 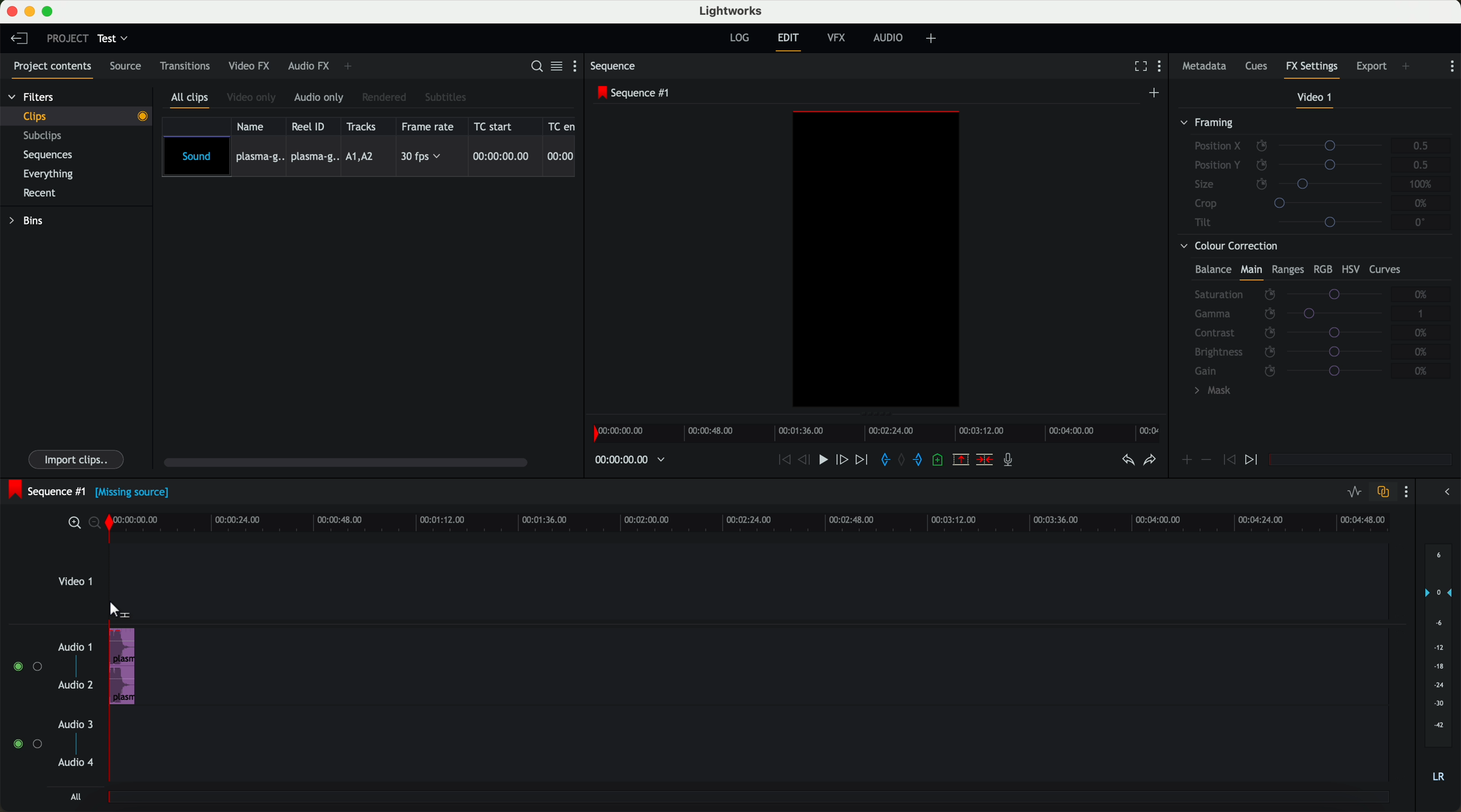 What do you see at coordinates (1138, 67) in the screenshot?
I see `fullscreen` at bounding box center [1138, 67].